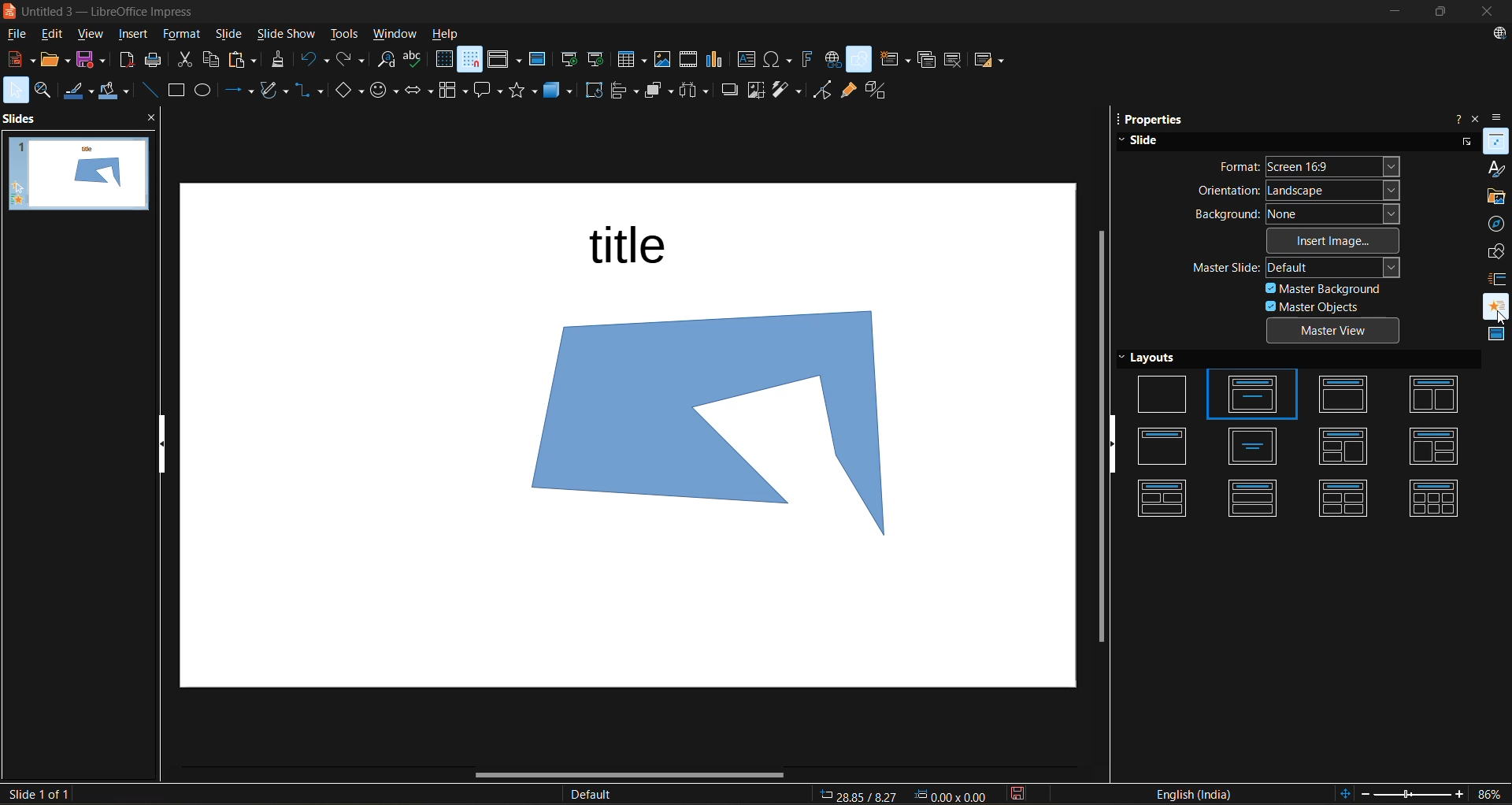  What do you see at coordinates (1496, 320) in the screenshot?
I see `cursor` at bounding box center [1496, 320].